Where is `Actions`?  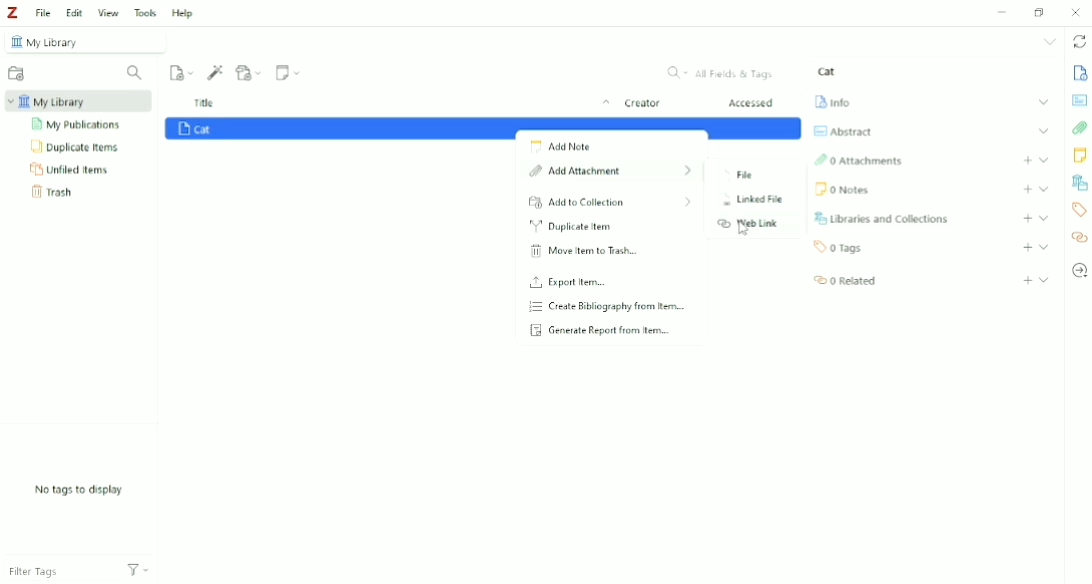
Actions is located at coordinates (138, 568).